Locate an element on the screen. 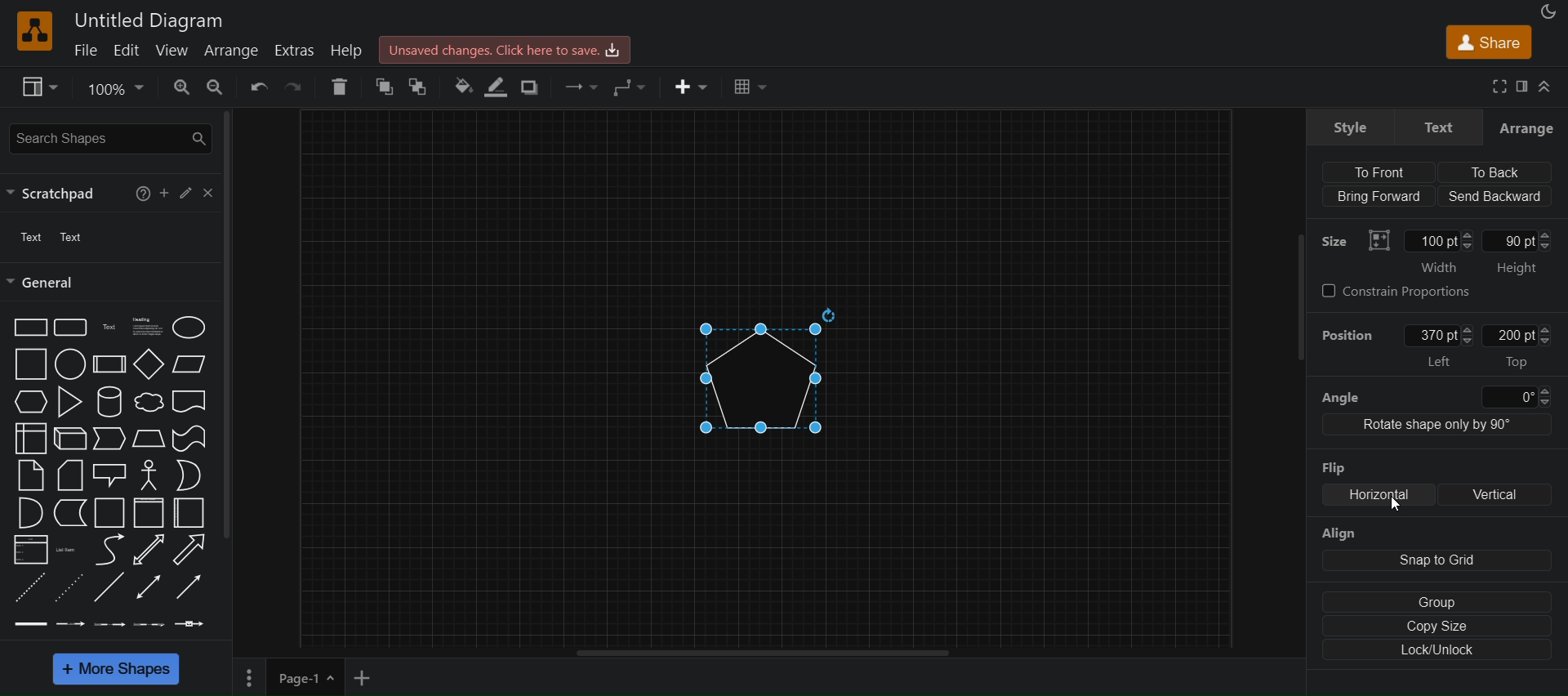 This screenshot has height=696, width=1568. file is located at coordinates (88, 48).